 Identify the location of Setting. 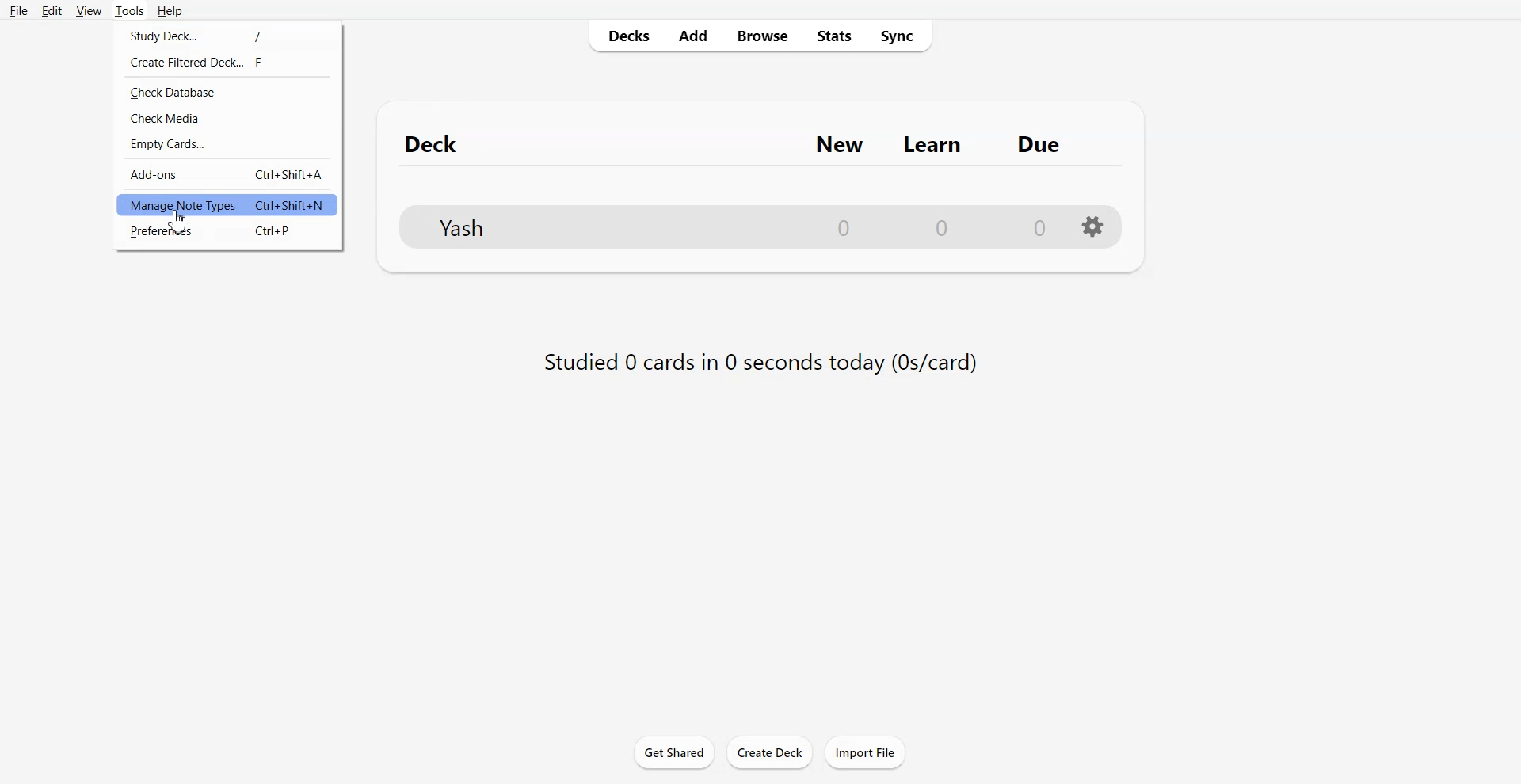
(1093, 226).